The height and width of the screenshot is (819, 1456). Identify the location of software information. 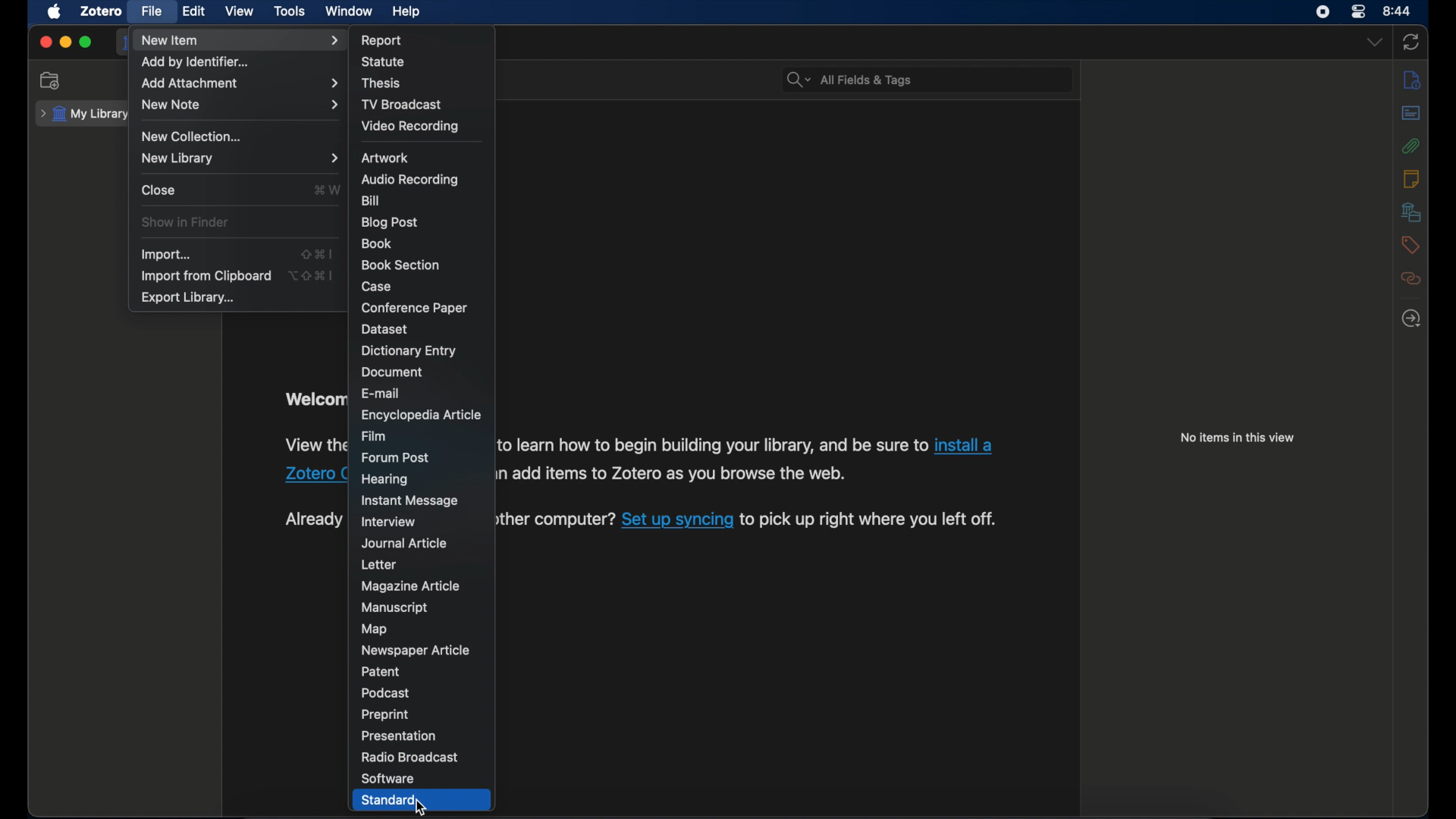
(671, 473).